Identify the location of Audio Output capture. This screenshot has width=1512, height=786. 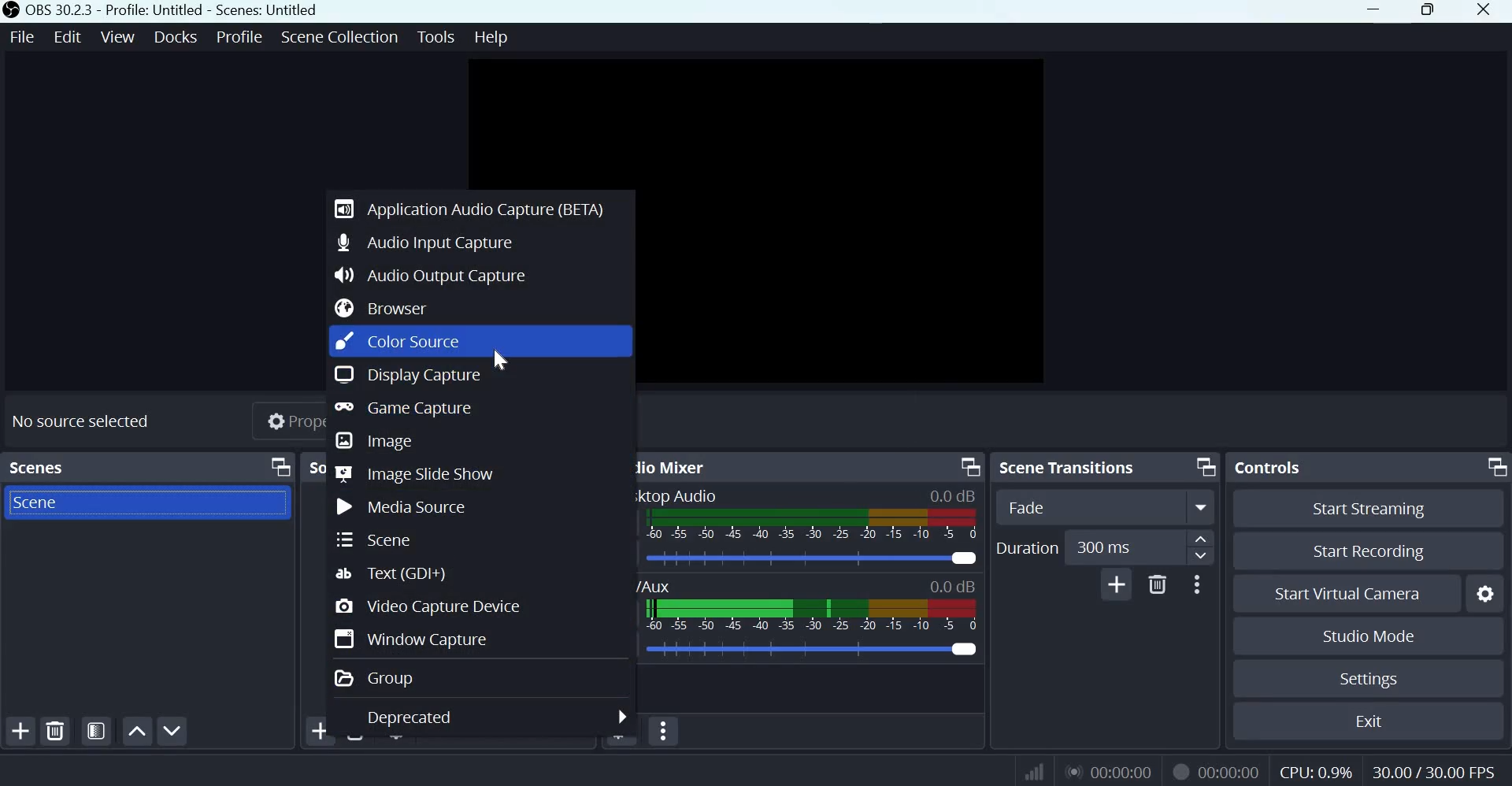
(440, 276).